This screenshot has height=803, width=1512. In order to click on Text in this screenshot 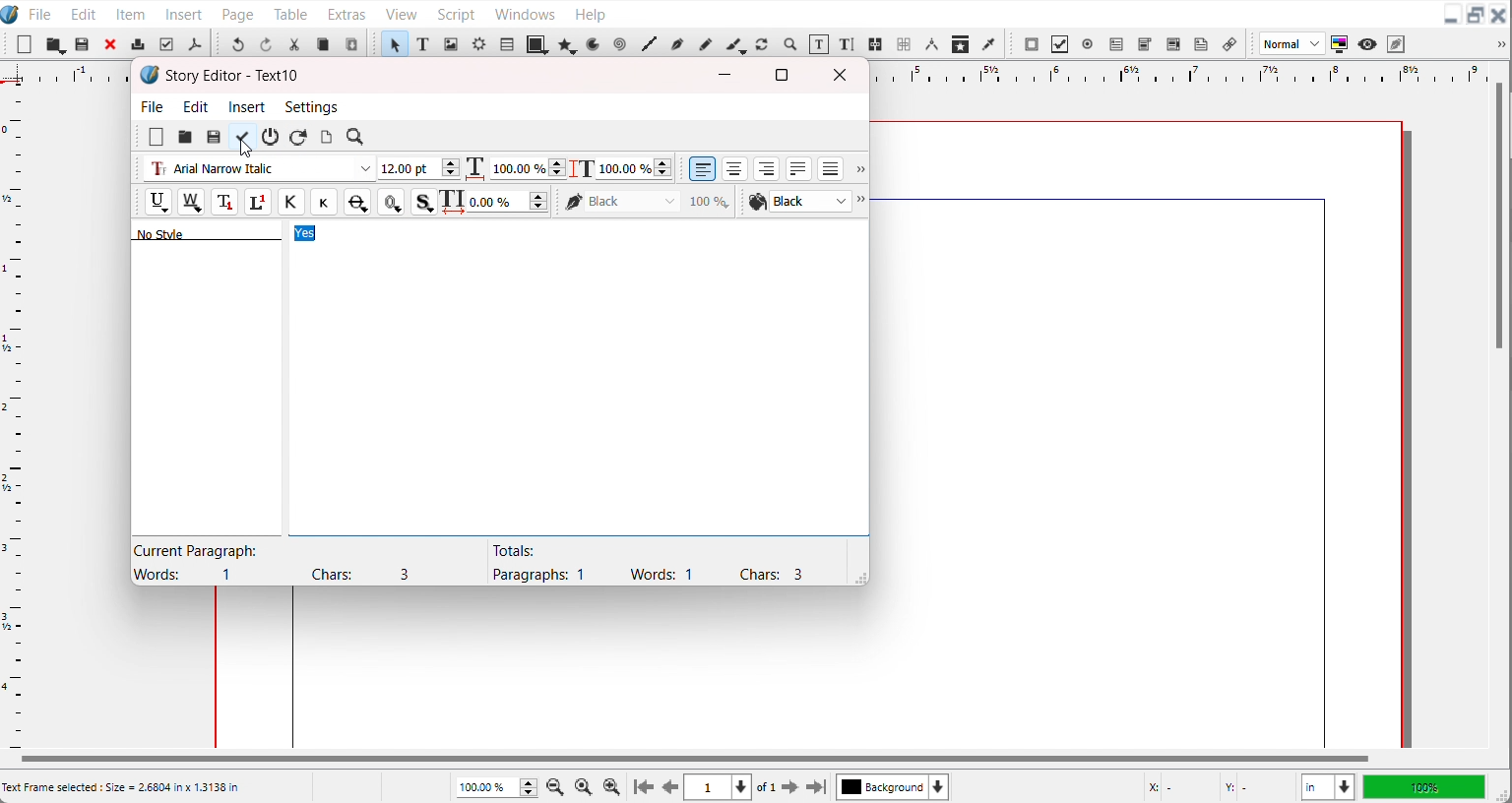, I will do `click(225, 232)`.